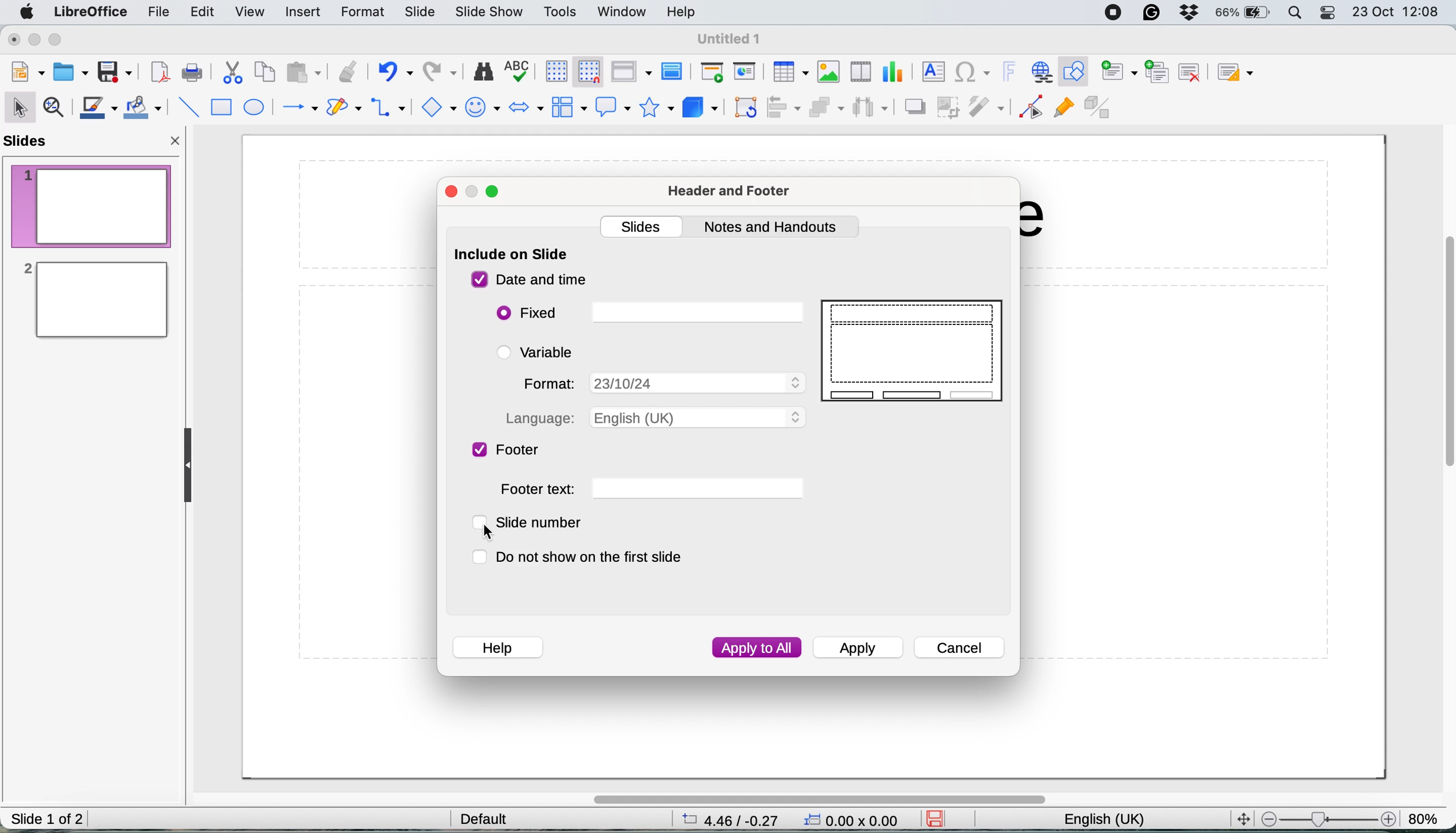 This screenshot has width=1456, height=833. Describe the element at coordinates (255, 108) in the screenshot. I see `ellipse` at that location.